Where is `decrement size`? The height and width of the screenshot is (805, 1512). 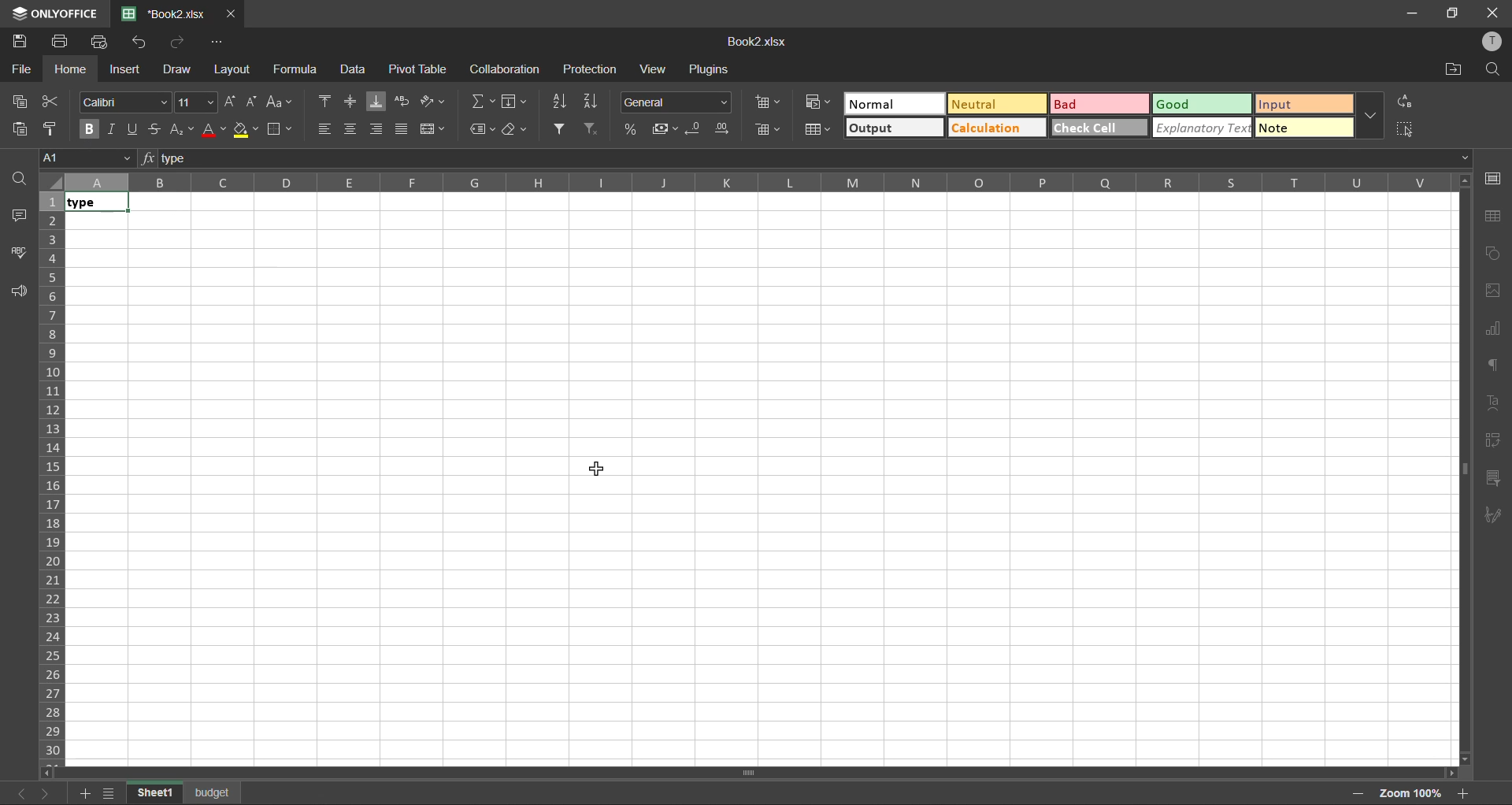
decrement size is located at coordinates (254, 102).